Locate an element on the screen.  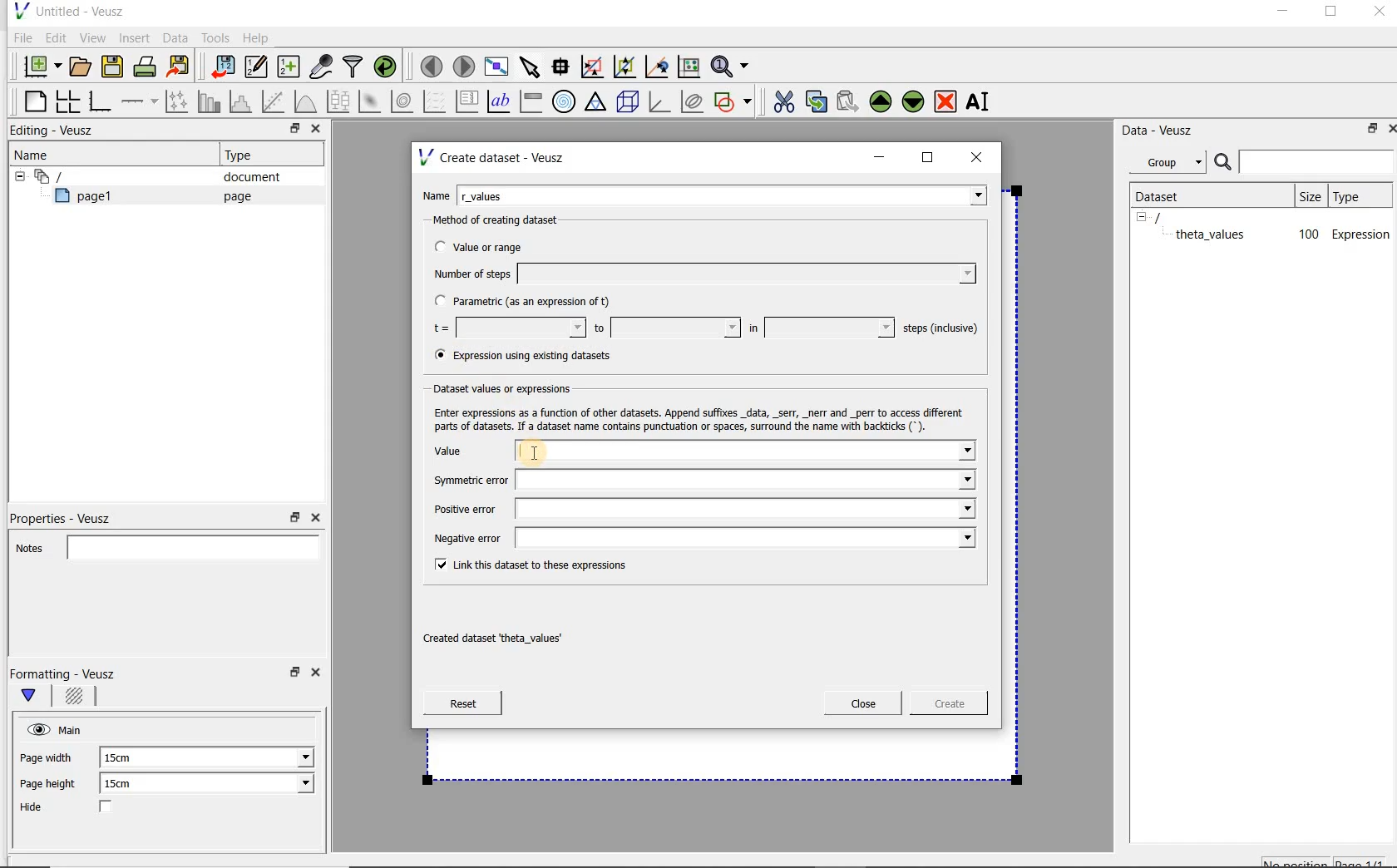
view plot full screen is located at coordinates (495, 65).